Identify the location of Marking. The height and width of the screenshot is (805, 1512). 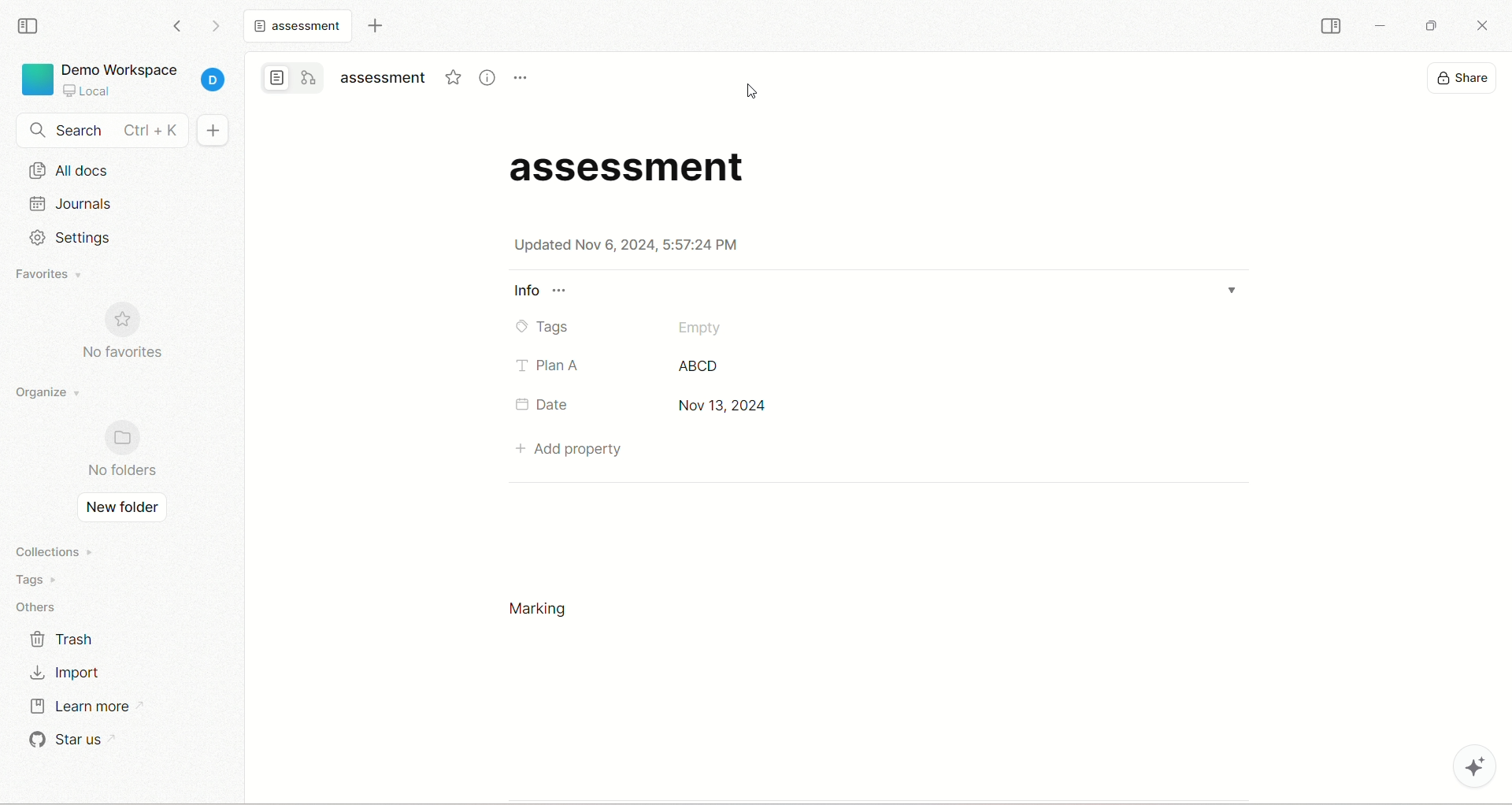
(539, 609).